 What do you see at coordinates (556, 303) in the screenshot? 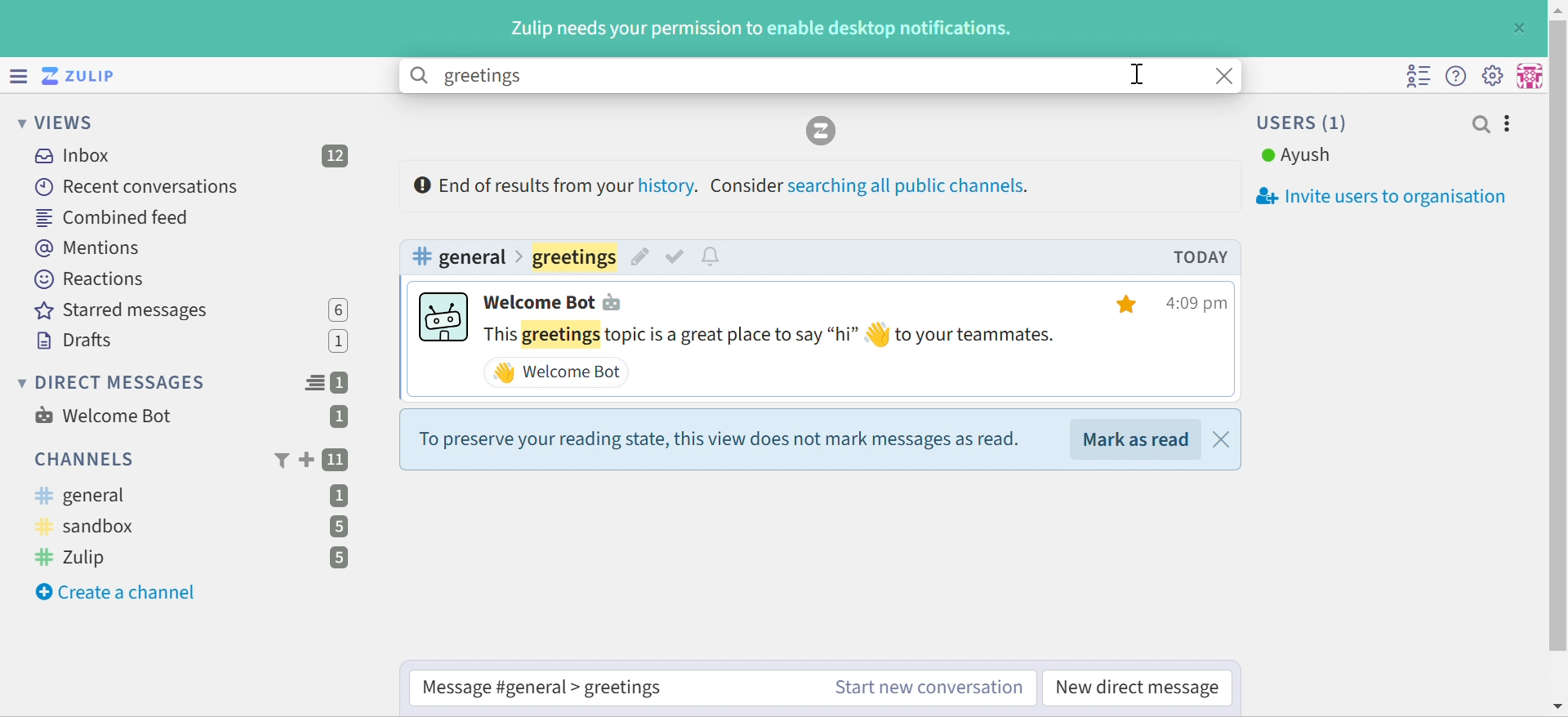
I see `Welcome bot` at bounding box center [556, 303].